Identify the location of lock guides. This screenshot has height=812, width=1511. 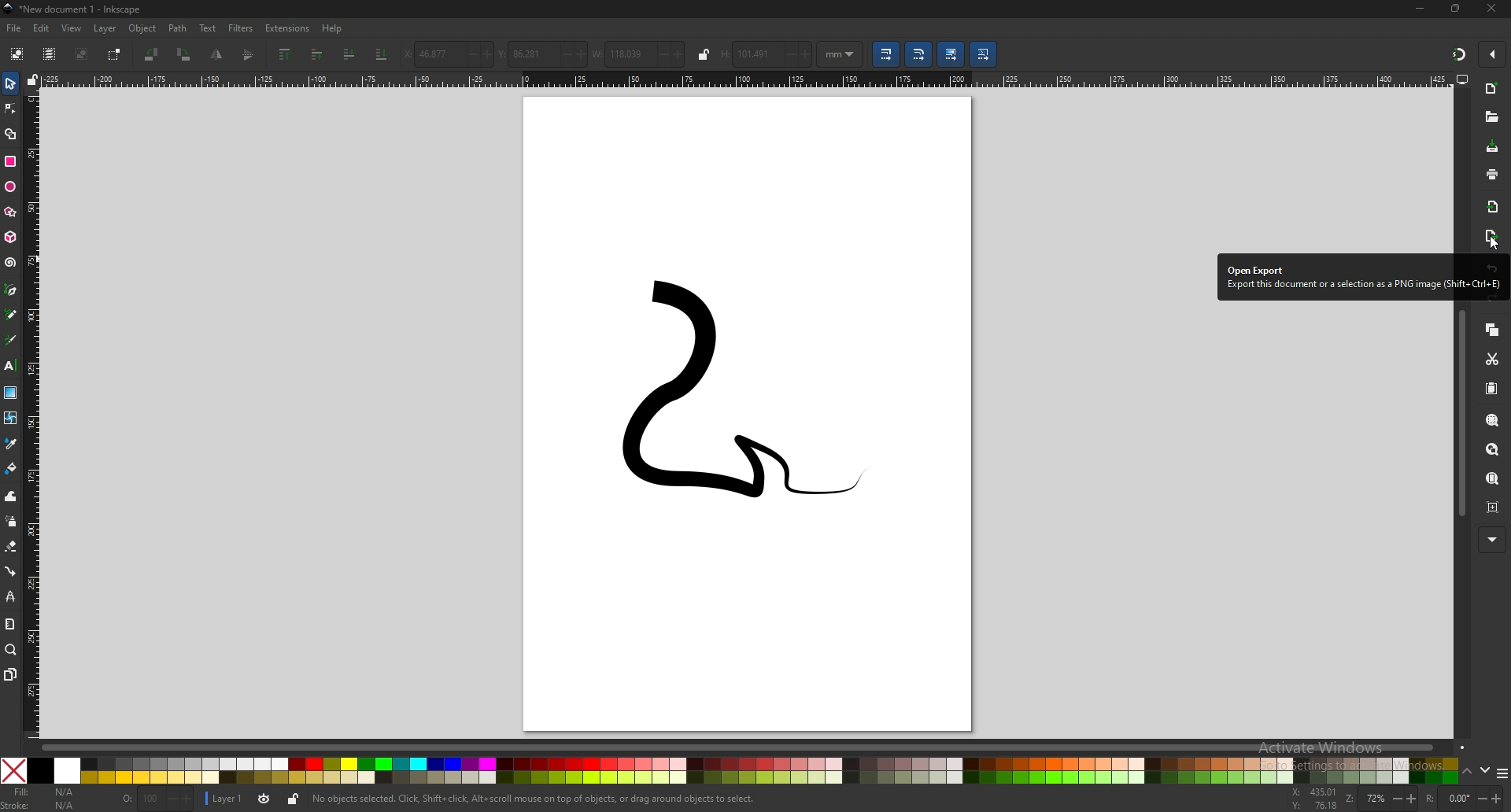
(34, 79).